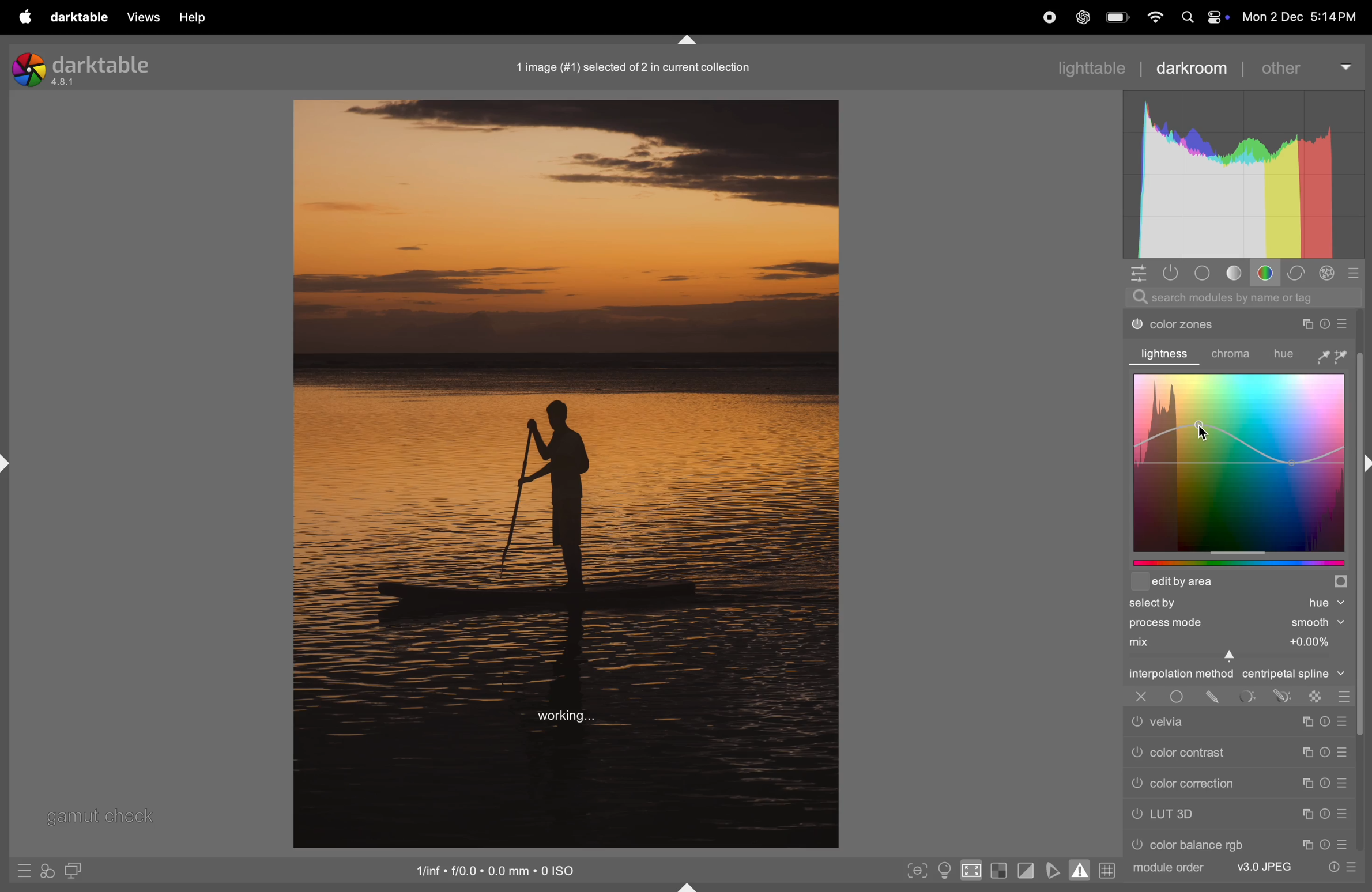 The image size is (1372, 892). What do you see at coordinates (1083, 68) in the screenshot?
I see `lightable` at bounding box center [1083, 68].